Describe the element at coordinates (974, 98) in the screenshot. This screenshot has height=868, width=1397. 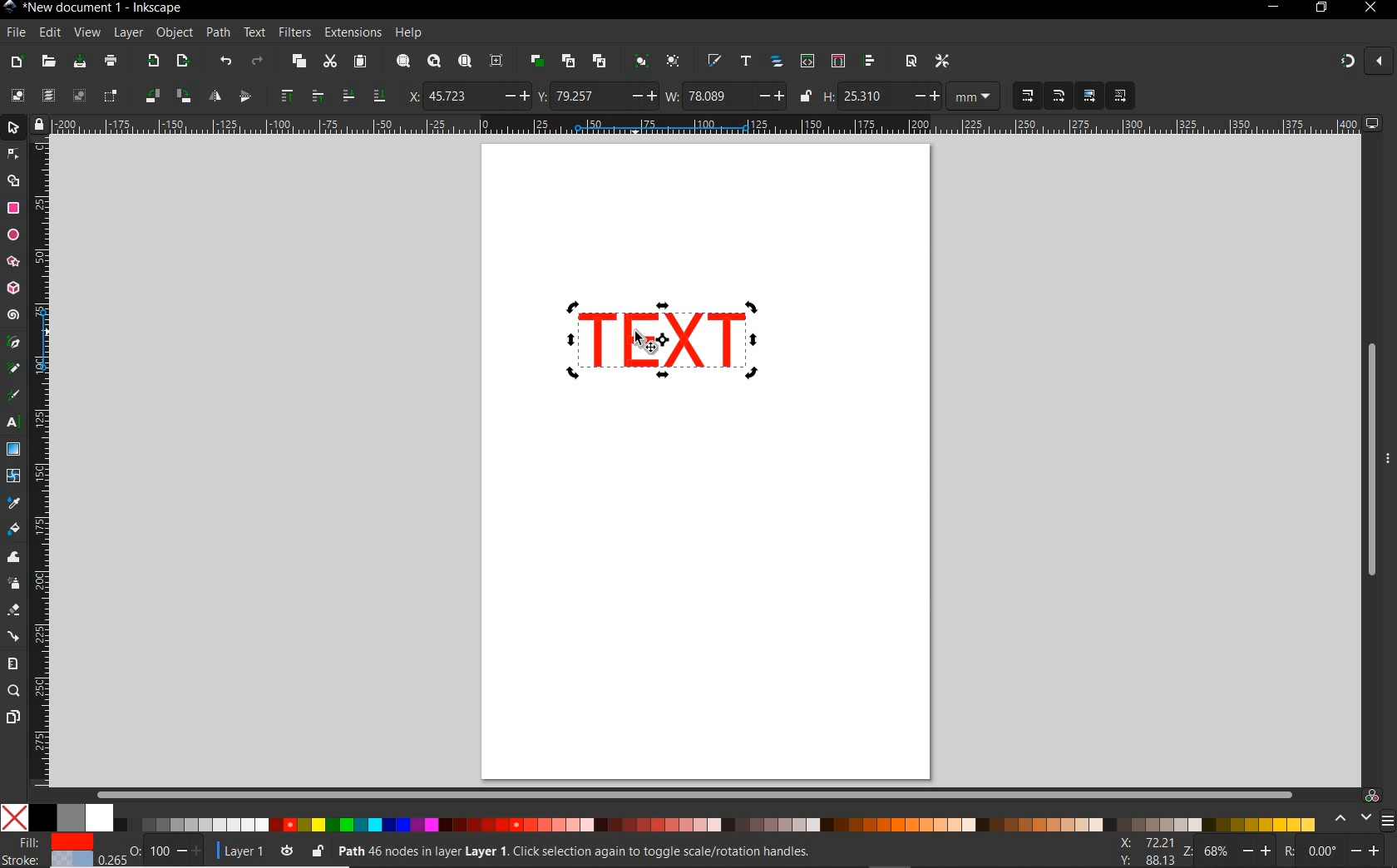
I see `MEASUREMENT` at that location.